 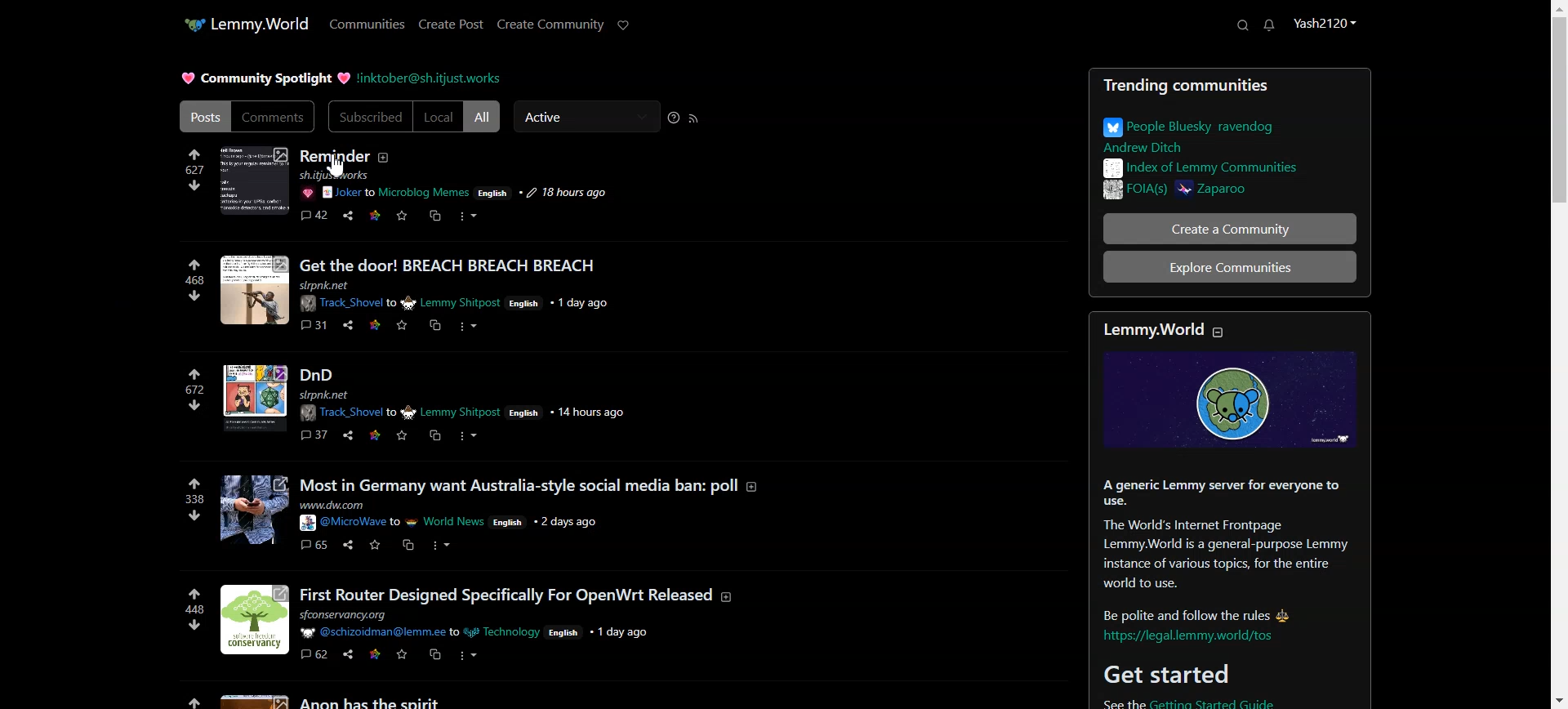 What do you see at coordinates (194, 185) in the screenshot?
I see `Down vote` at bounding box center [194, 185].